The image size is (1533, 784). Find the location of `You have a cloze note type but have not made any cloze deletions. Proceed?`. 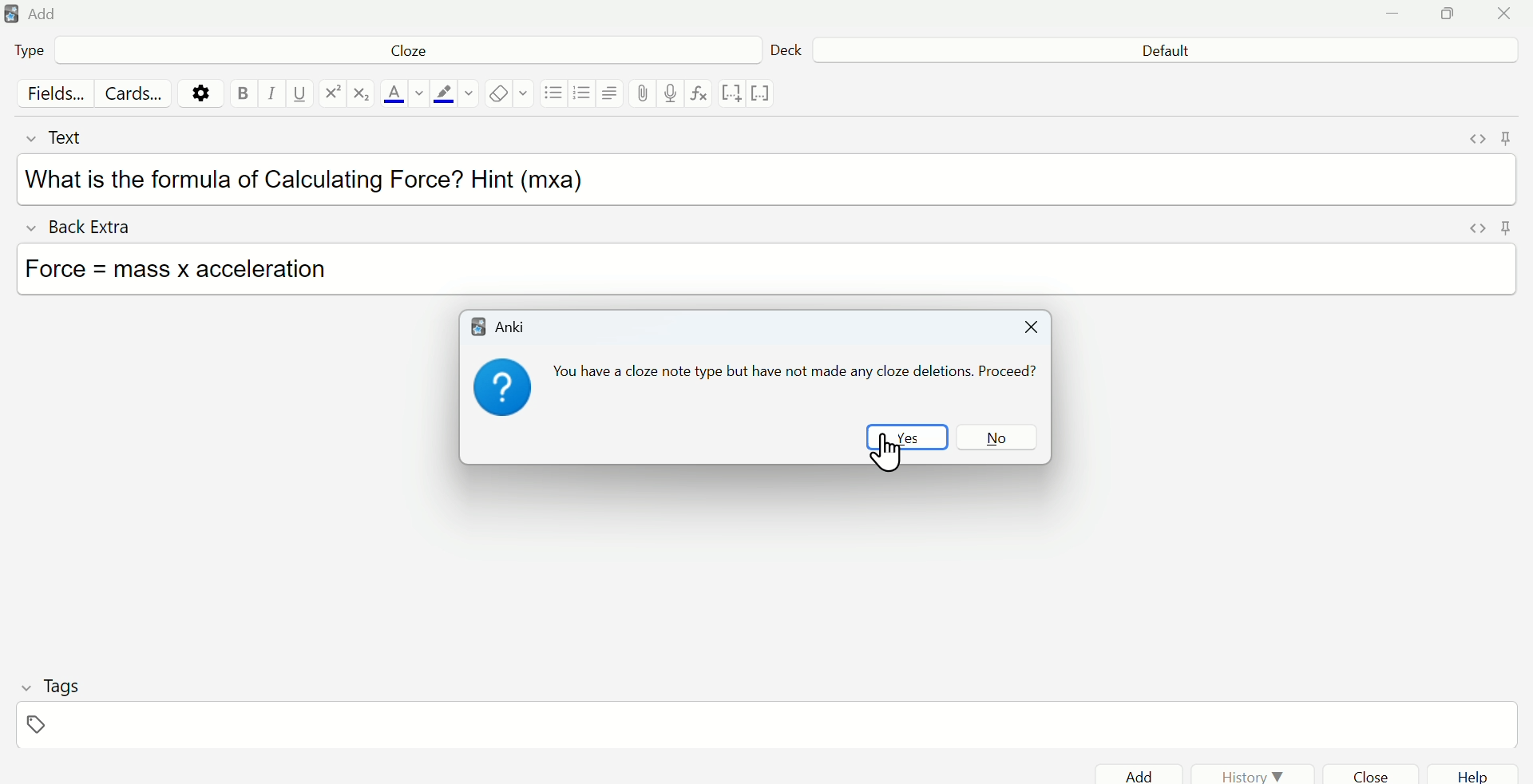

You have a cloze note type but have not made any cloze deletions. Proceed? is located at coordinates (791, 376).